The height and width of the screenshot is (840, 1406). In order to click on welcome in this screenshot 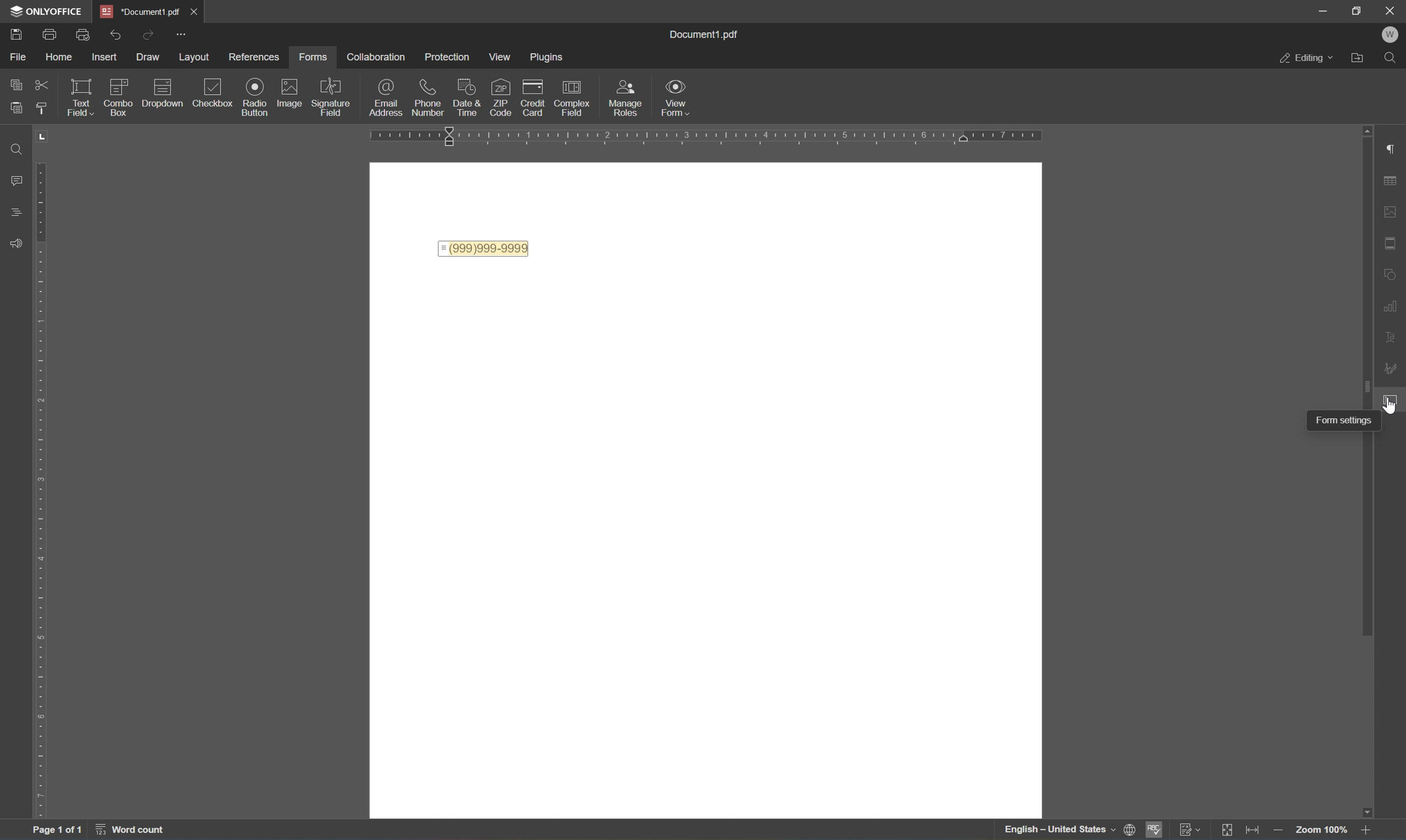, I will do `click(1391, 33)`.